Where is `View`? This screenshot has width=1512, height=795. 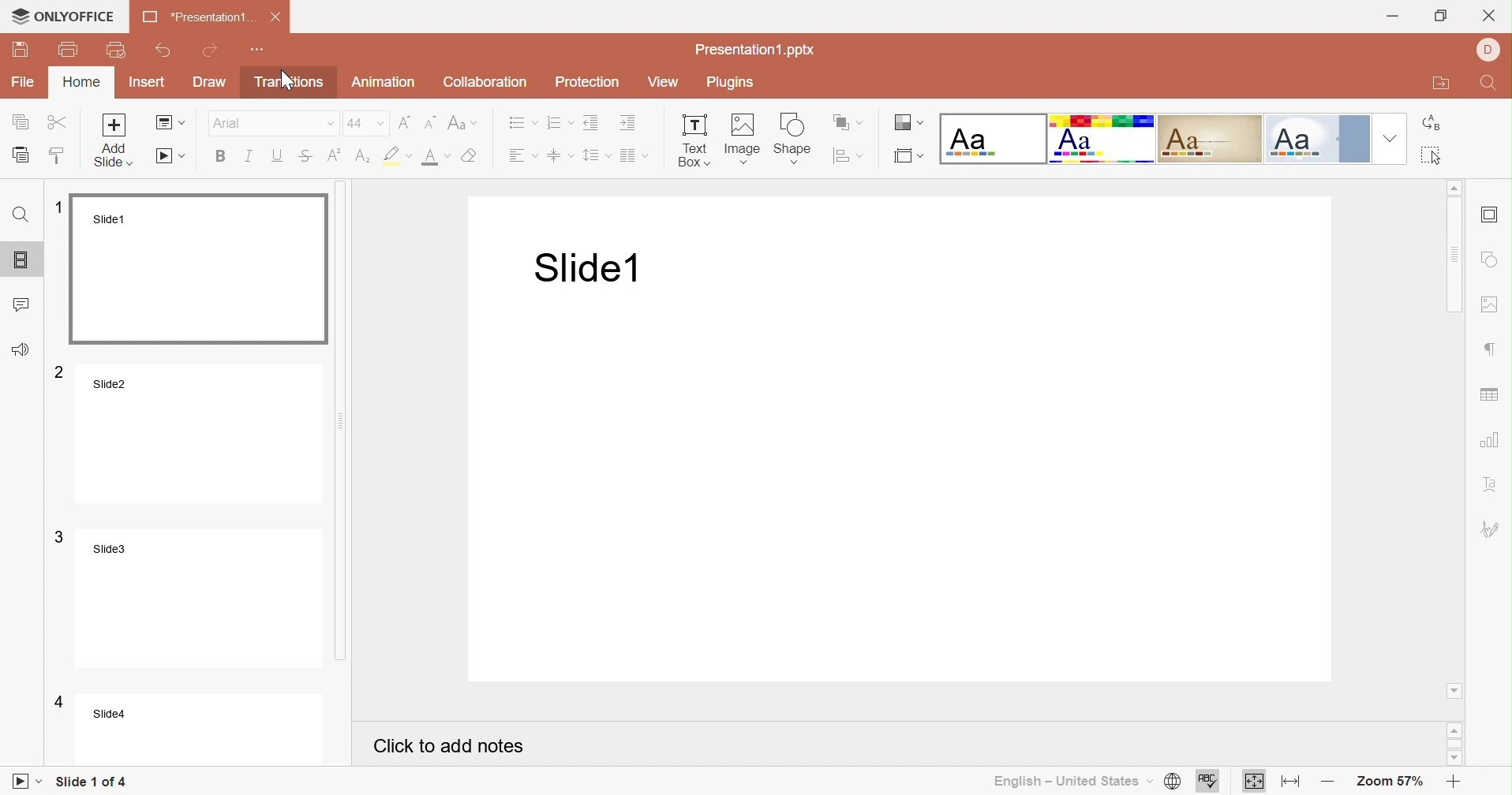 View is located at coordinates (663, 84).